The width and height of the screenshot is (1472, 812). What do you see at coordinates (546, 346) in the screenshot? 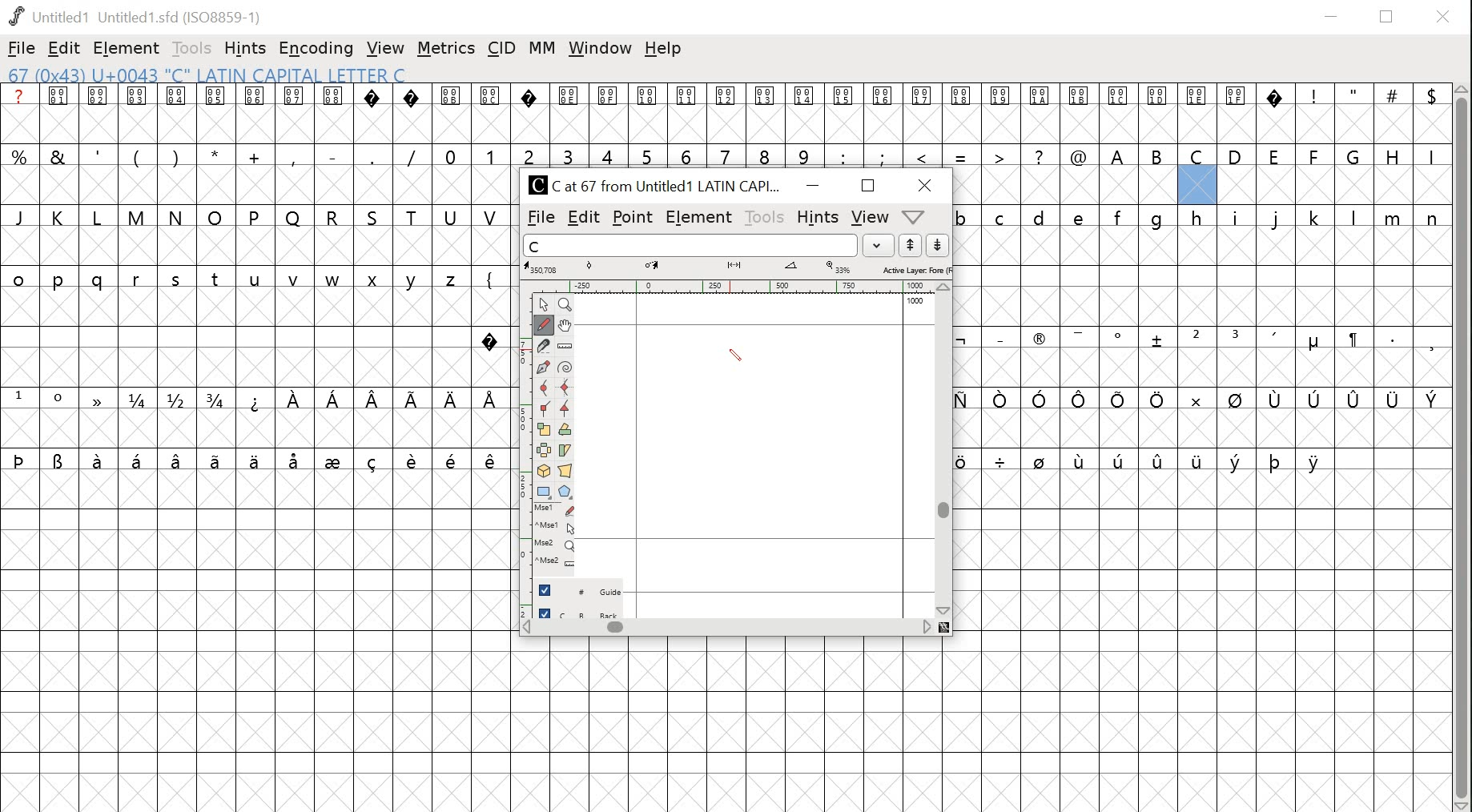
I see `knife` at bounding box center [546, 346].